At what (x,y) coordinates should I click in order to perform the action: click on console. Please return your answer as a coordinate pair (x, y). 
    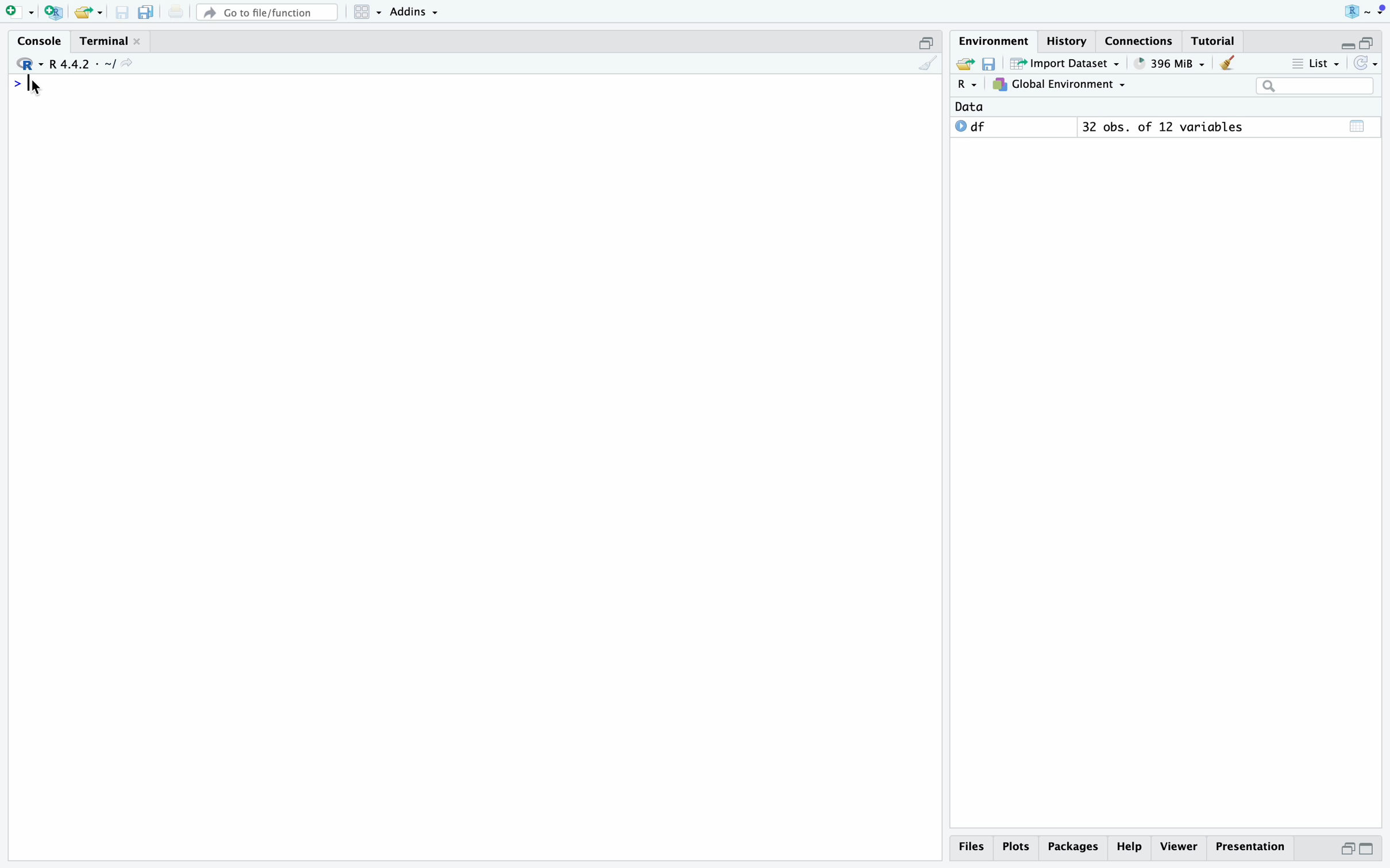
    Looking at the image, I should click on (42, 40).